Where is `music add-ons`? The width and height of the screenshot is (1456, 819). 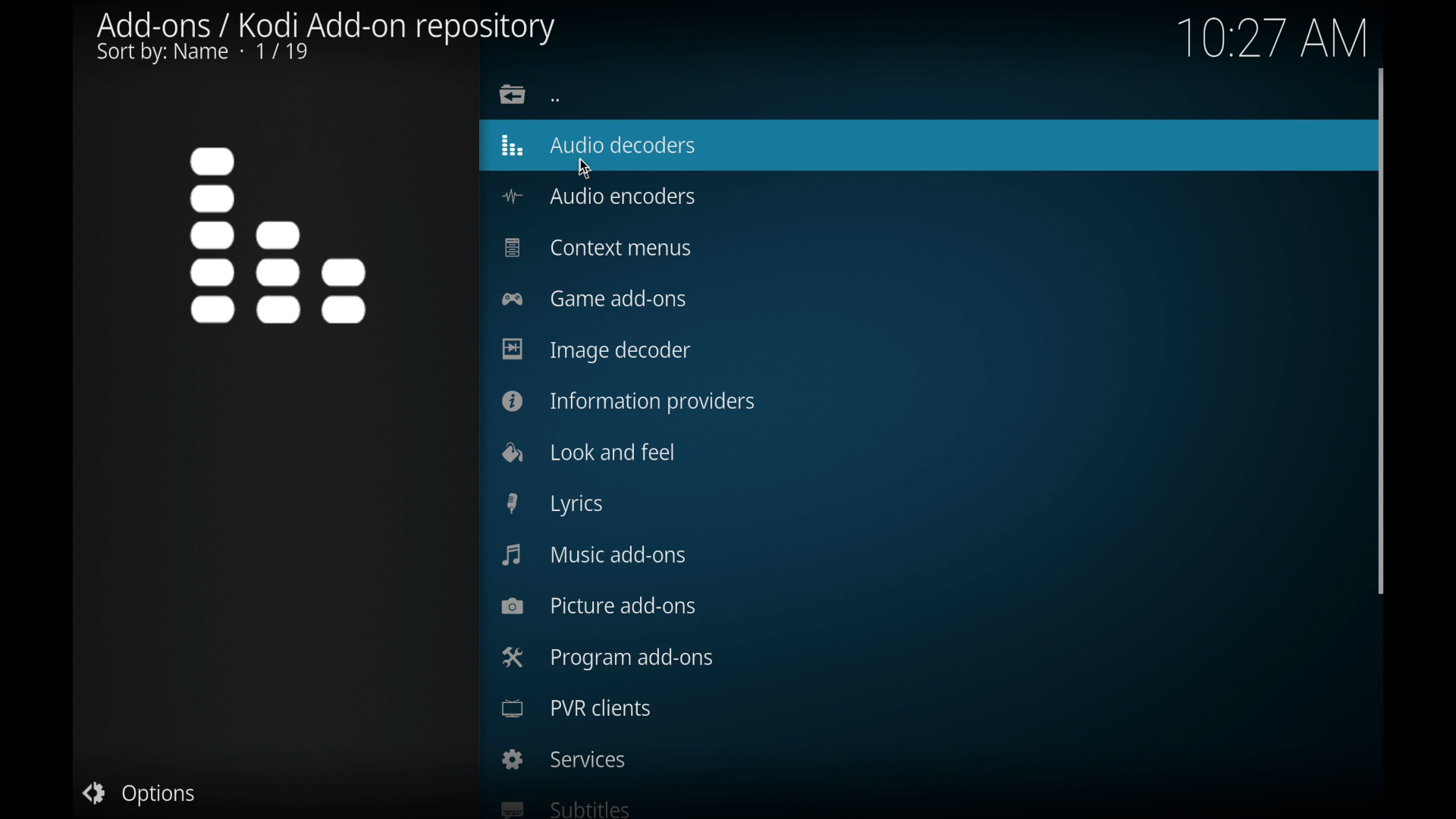 music add-ons is located at coordinates (596, 554).